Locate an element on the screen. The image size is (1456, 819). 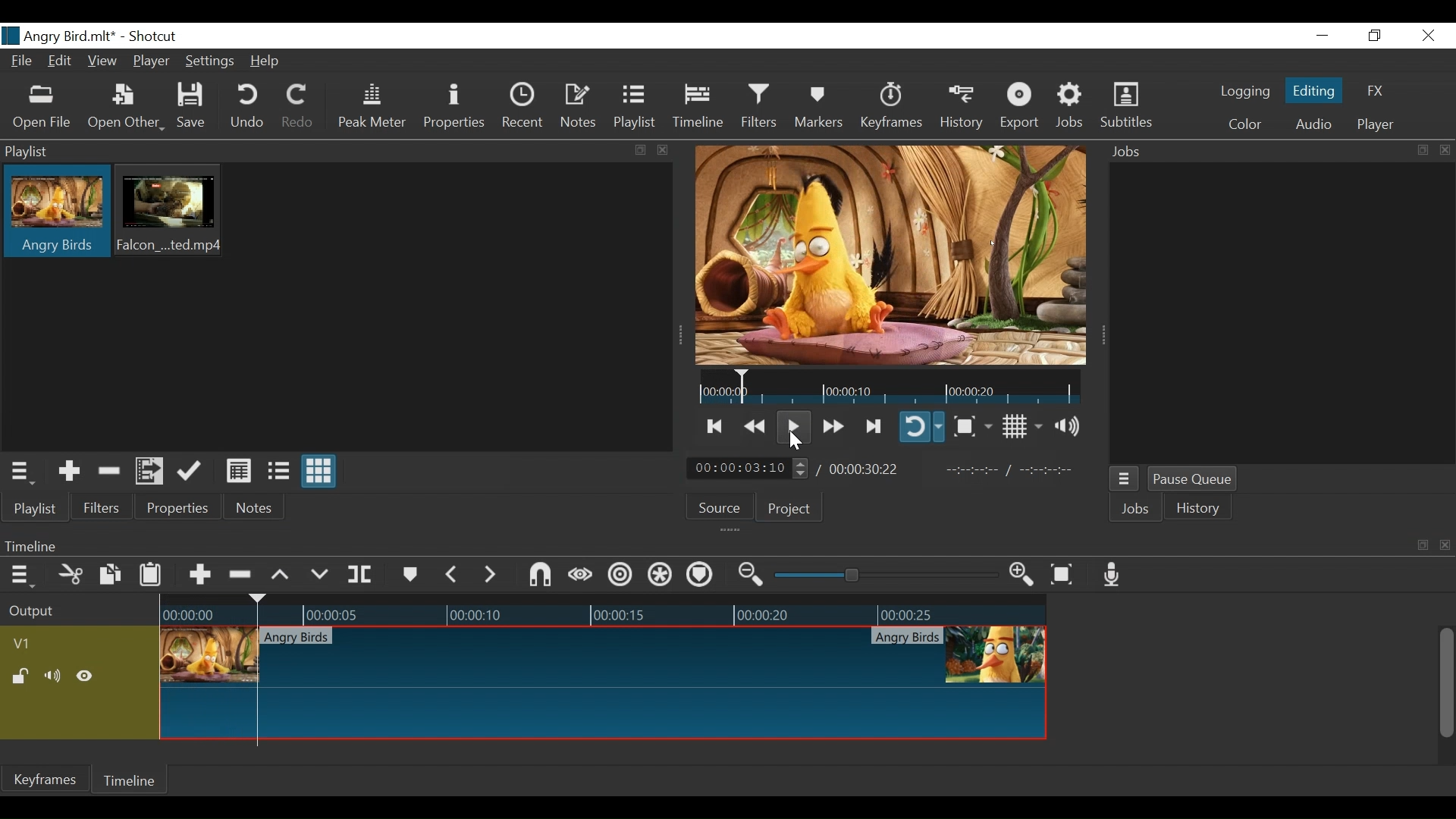
Close is located at coordinates (1428, 36).